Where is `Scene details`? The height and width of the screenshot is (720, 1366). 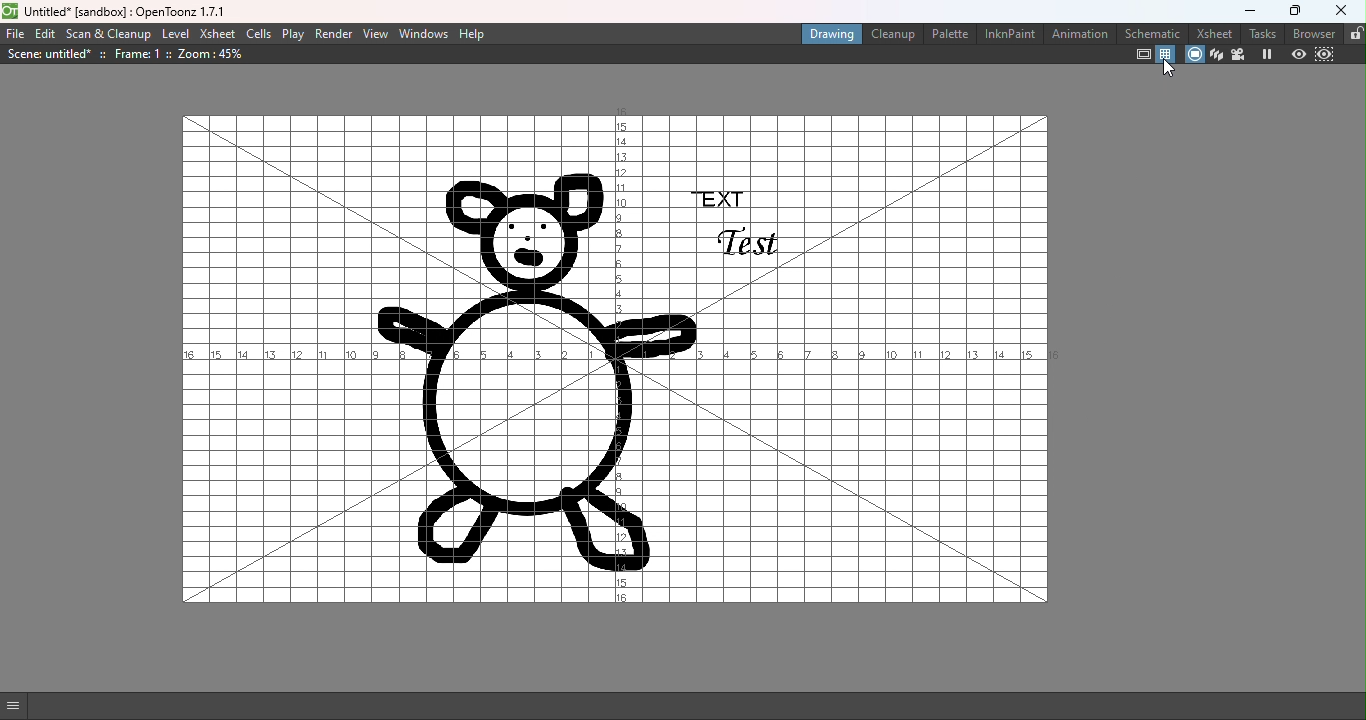
Scene details is located at coordinates (129, 54).